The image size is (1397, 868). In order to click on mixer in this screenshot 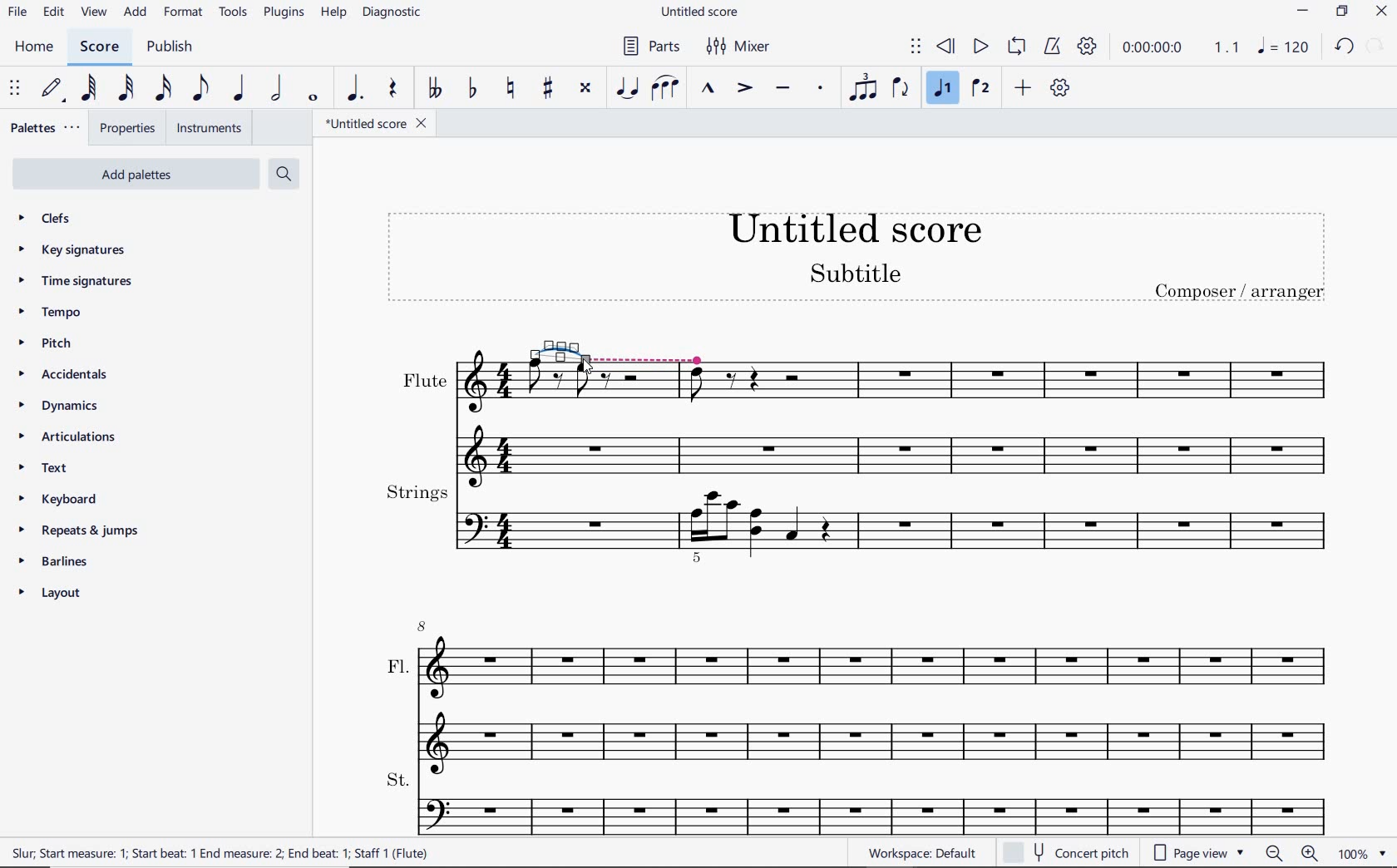, I will do `click(744, 47)`.